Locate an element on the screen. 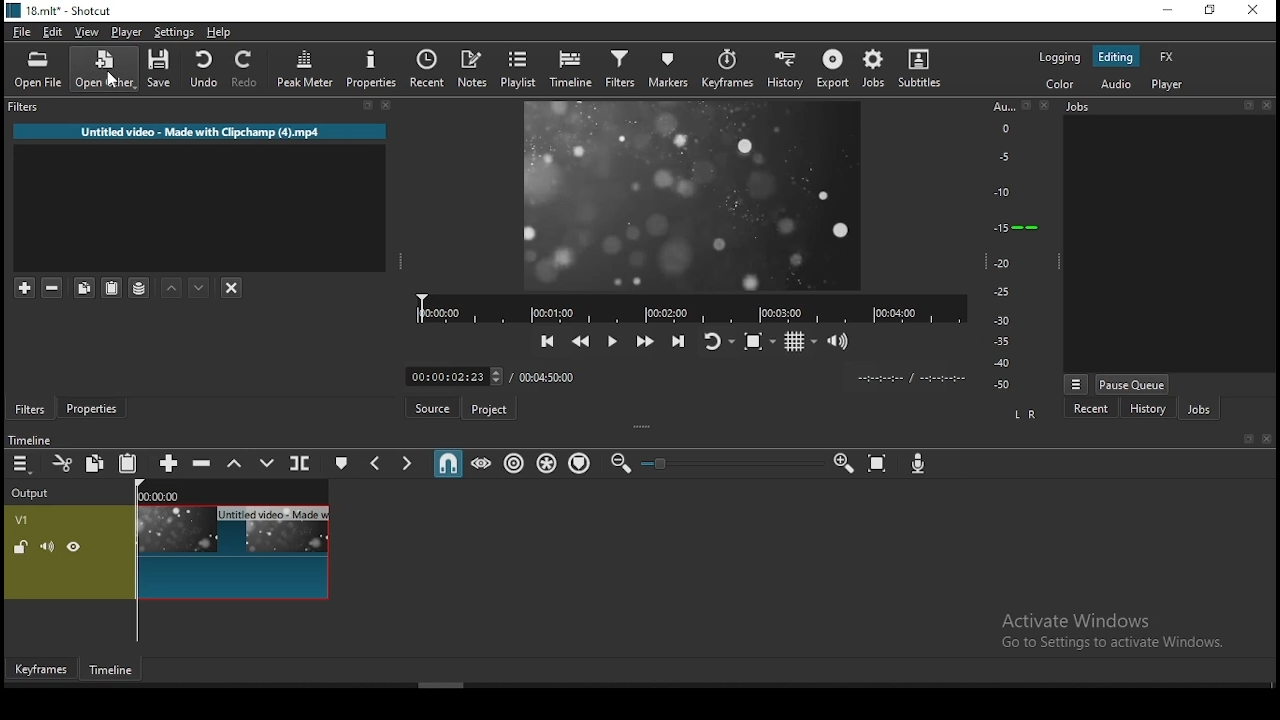 The width and height of the screenshot is (1280, 720). help is located at coordinates (222, 32).